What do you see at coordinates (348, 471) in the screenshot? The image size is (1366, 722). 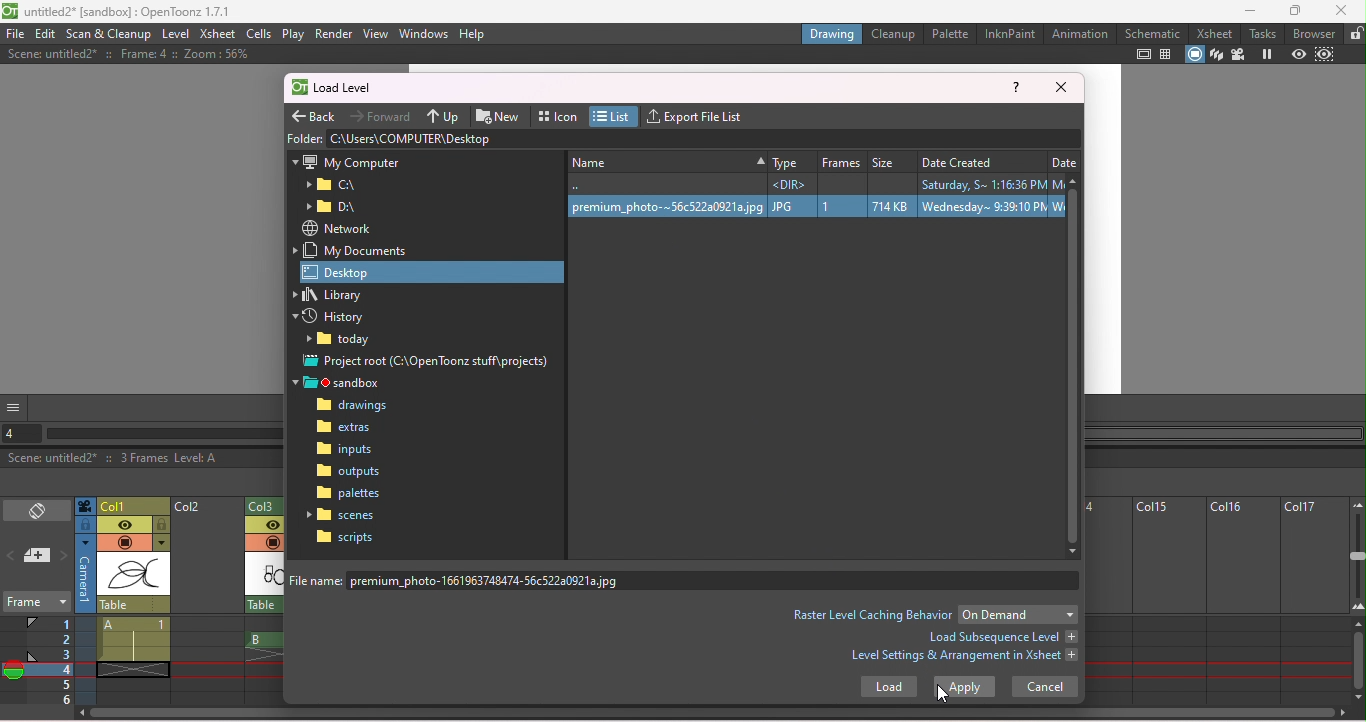 I see `Outputs` at bounding box center [348, 471].